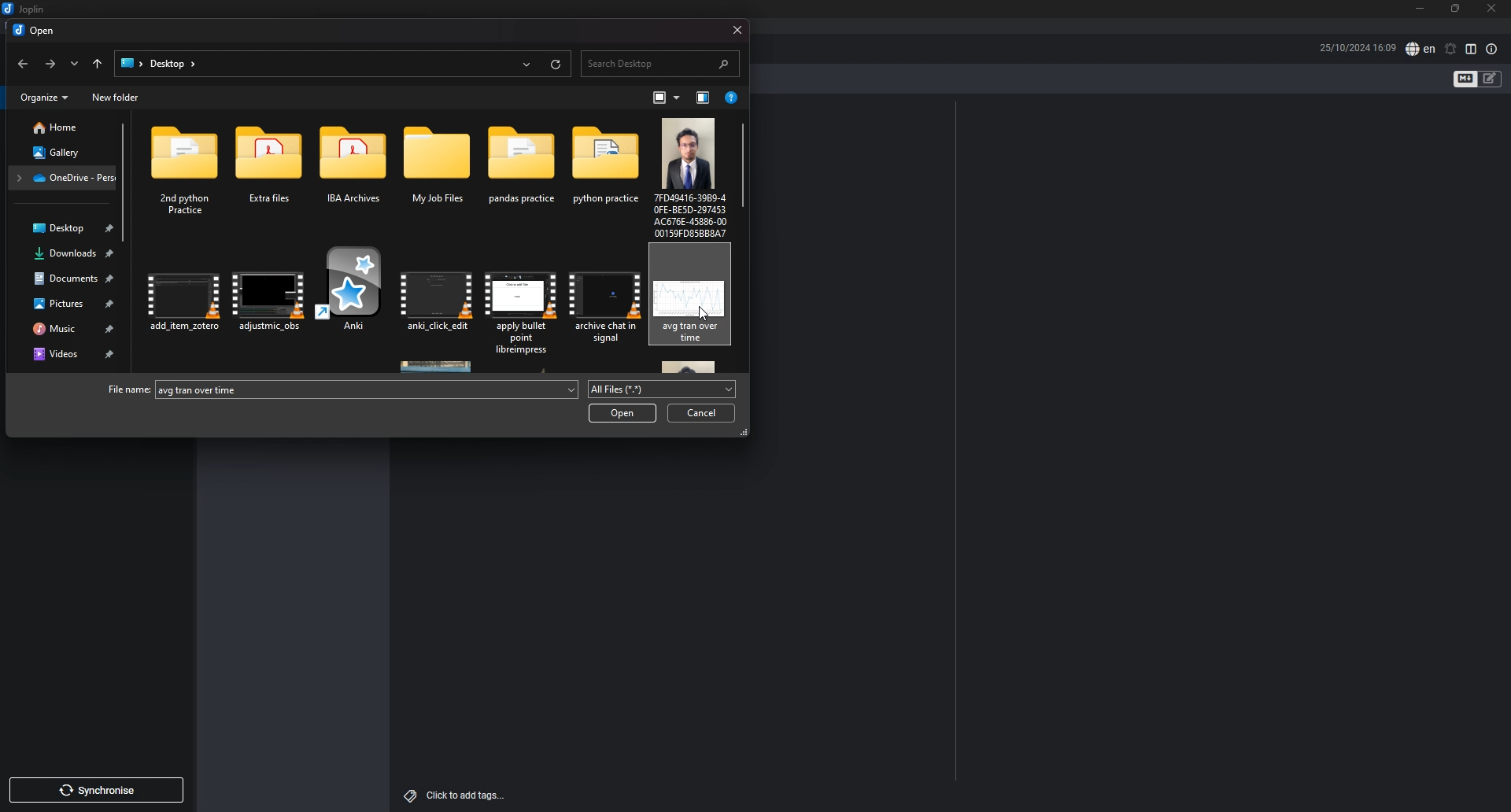 Image resolution: width=1511 pixels, height=812 pixels. Describe the element at coordinates (117, 97) in the screenshot. I see `new folder` at that location.